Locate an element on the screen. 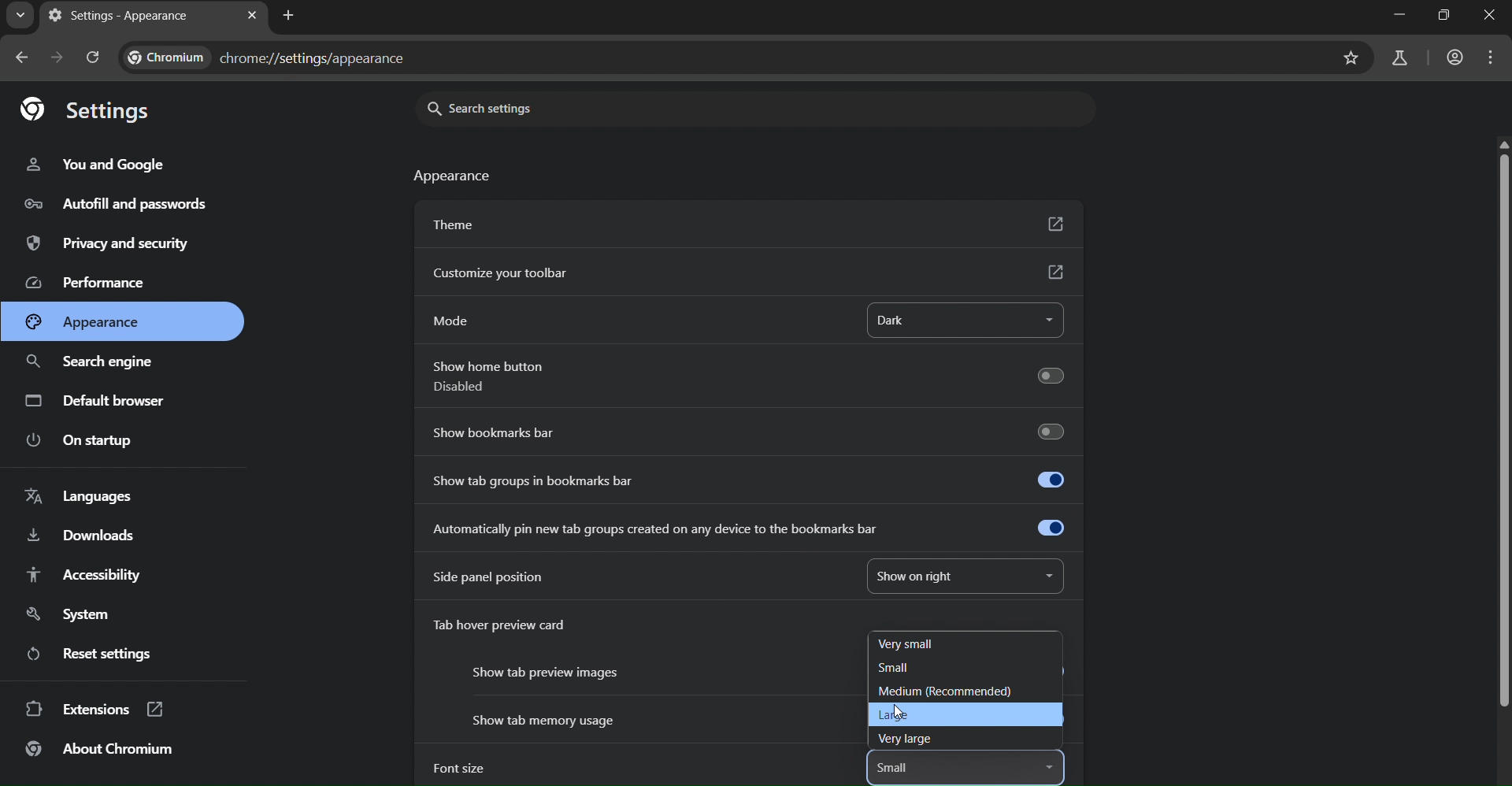 The height and width of the screenshot is (786, 1512). restore down is located at coordinates (1444, 14).